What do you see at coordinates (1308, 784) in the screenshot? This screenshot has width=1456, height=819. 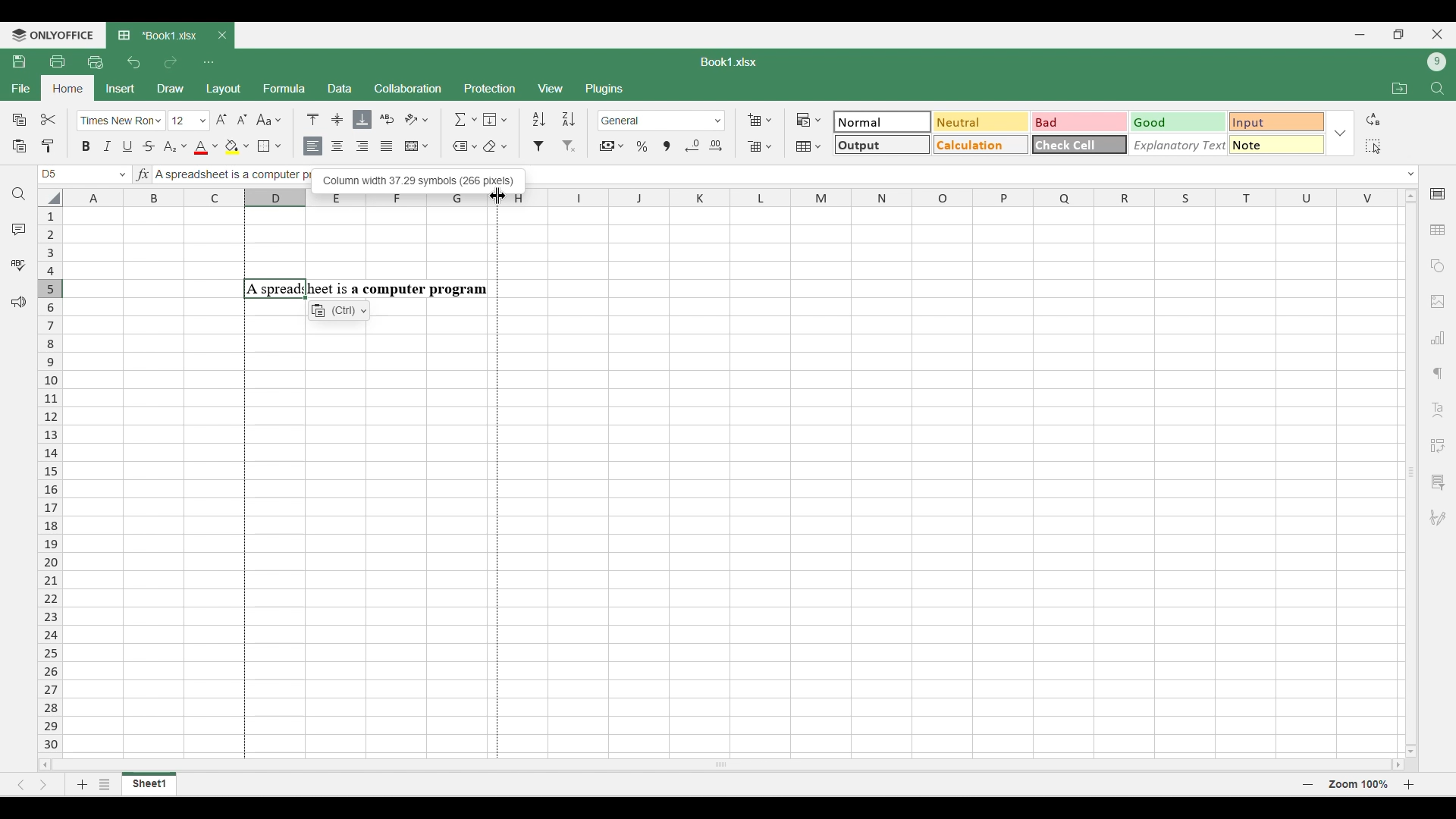 I see `Zoom out` at bounding box center [1308, 784].